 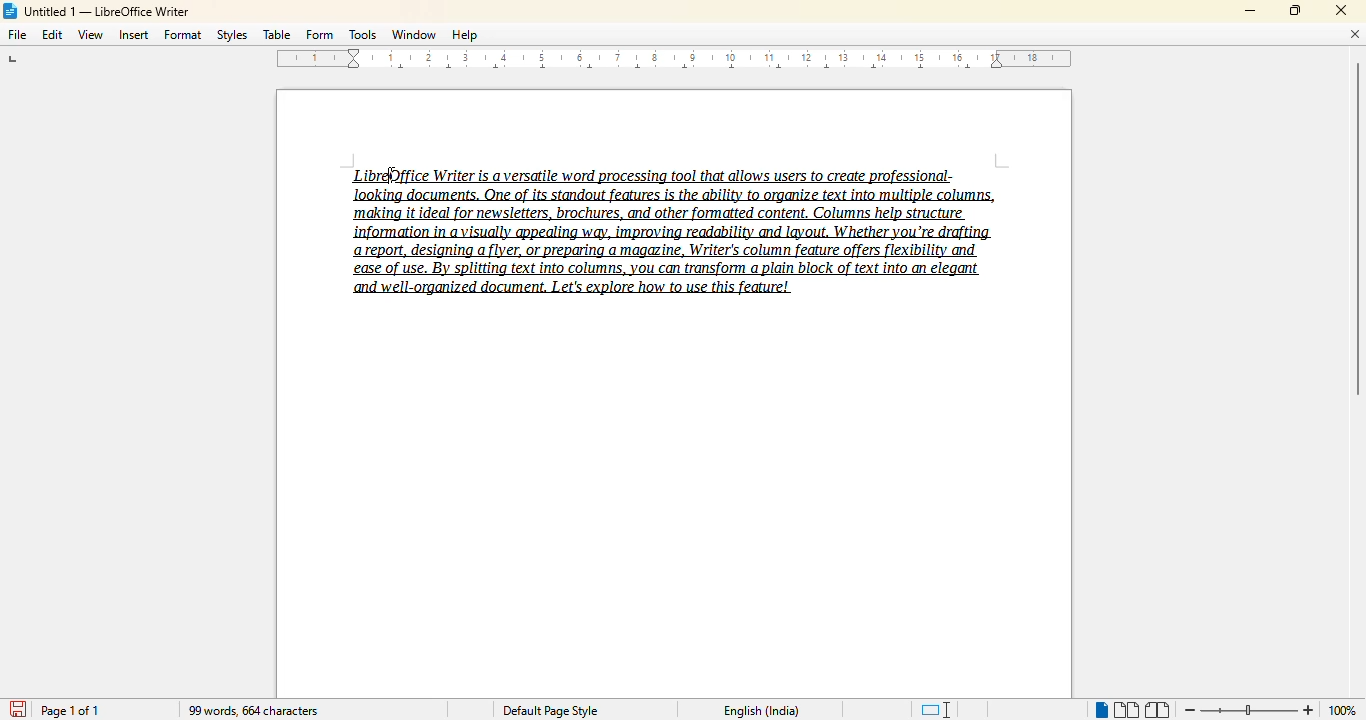 What do you see at coordinates (90, 34) in the screenshot?
I see `view` at bounding box center [90, 34].